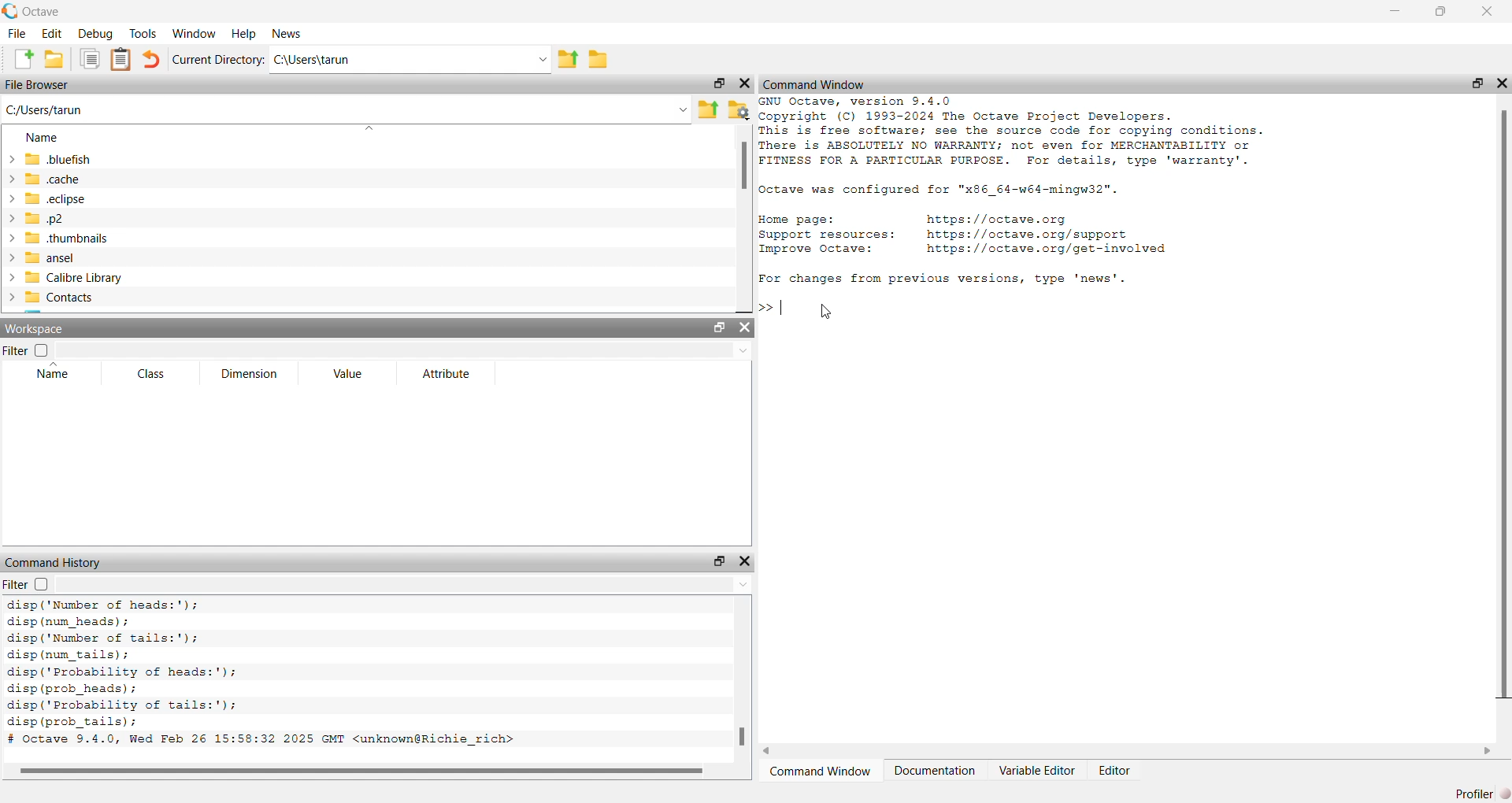 The width and height of the screenshot is (1512, 803). Describe the element at coordinates (17, 33) in the screenshot. I see `File` at that location.